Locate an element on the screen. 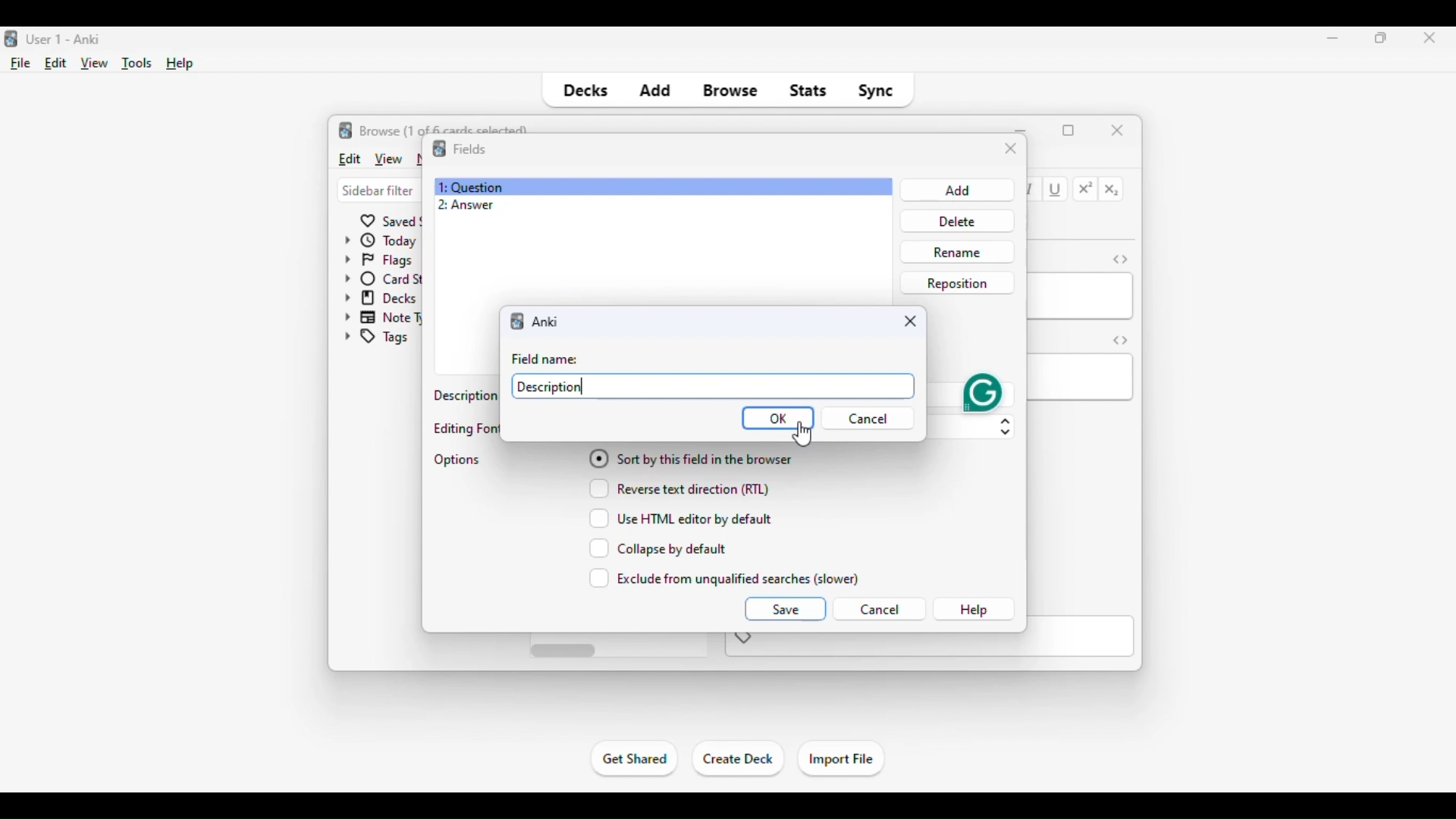  1: Question is located at coordinates (470, 187).